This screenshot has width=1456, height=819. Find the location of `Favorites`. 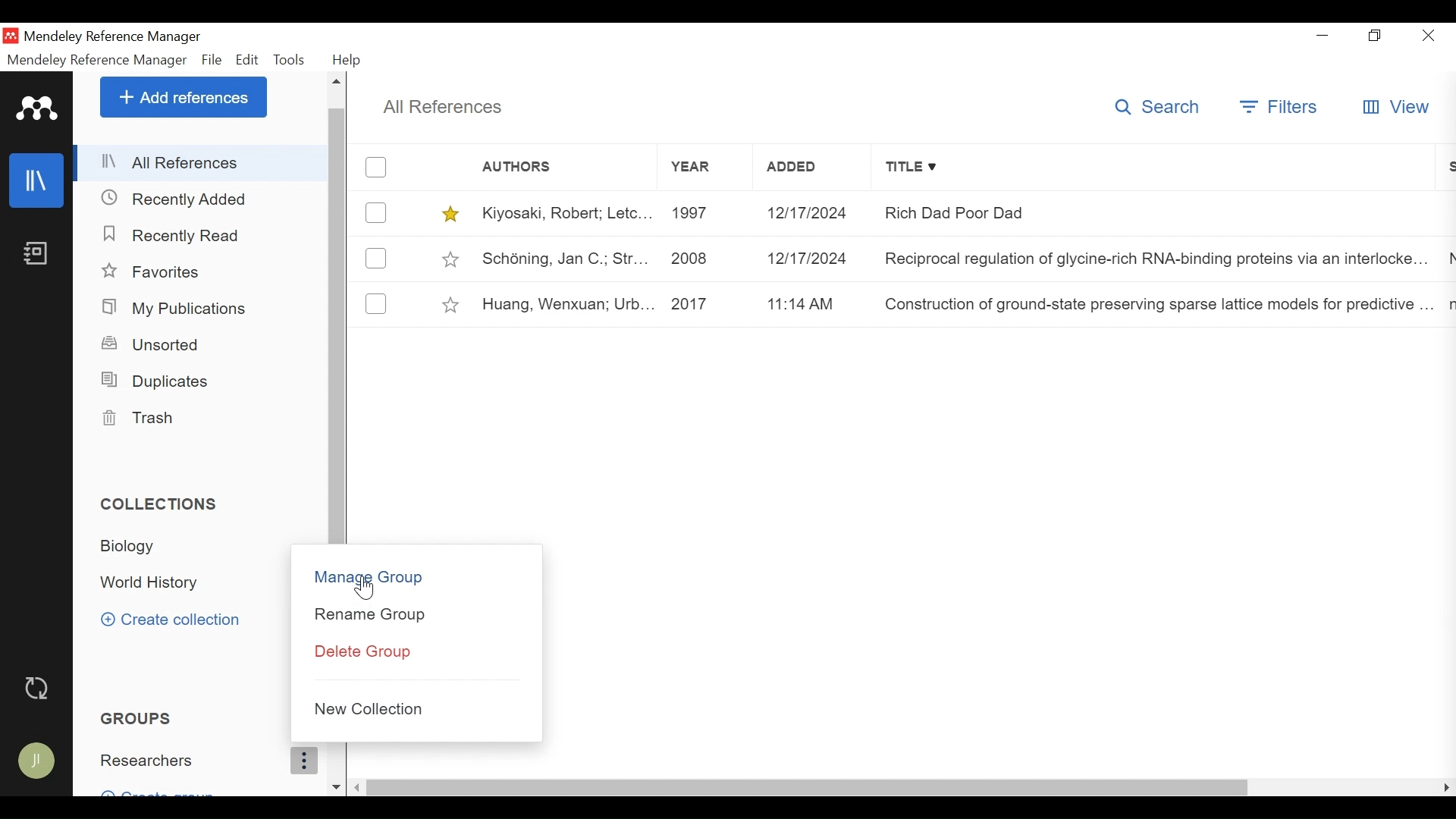

Favorites is located at coordinates (165, 271).